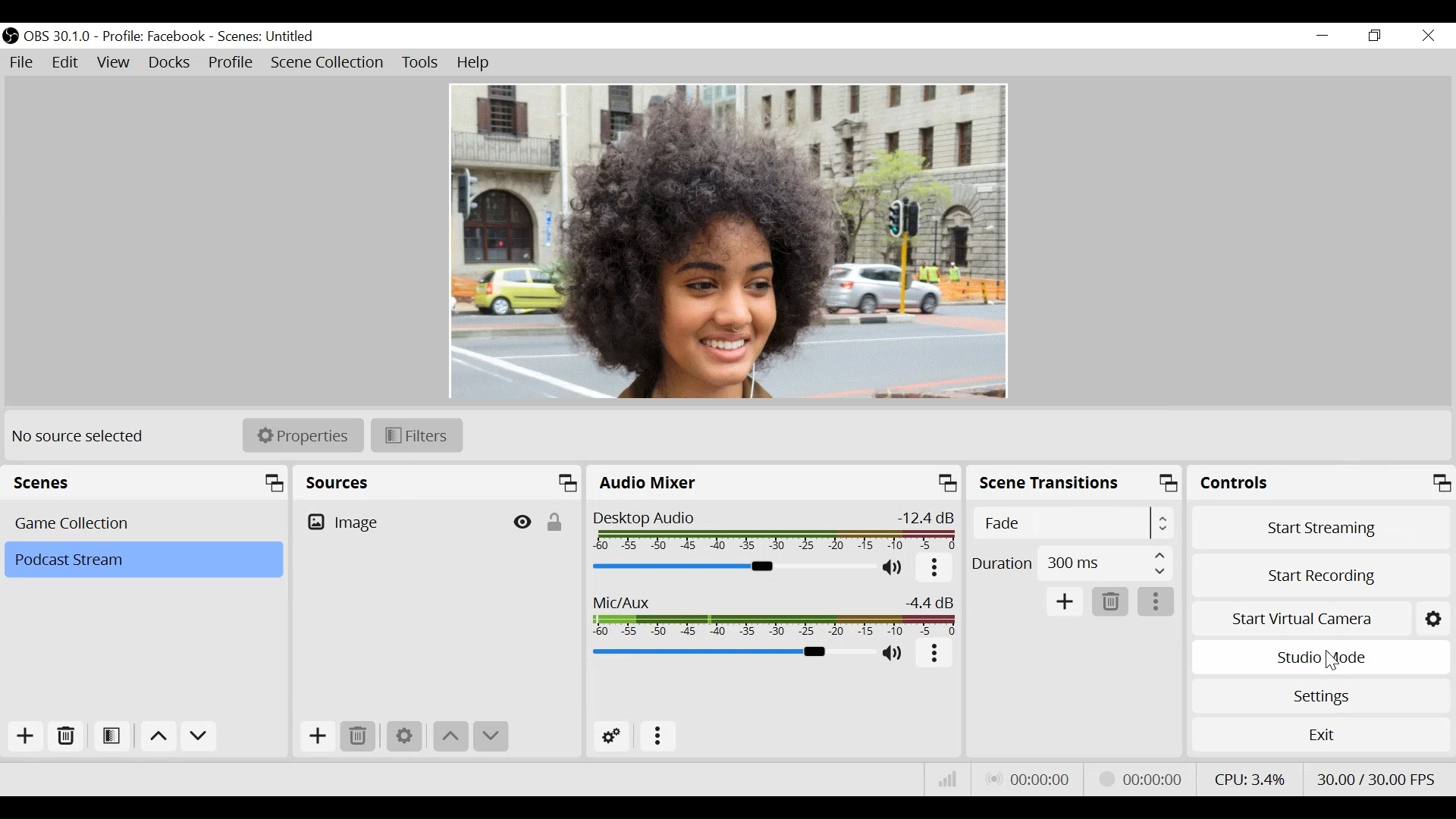 This screenshot has width=1456, height=819. What do you see at coordinates (1319, 696) in the screenshot?
I see `Settings` at bounding box center [1319, 696].